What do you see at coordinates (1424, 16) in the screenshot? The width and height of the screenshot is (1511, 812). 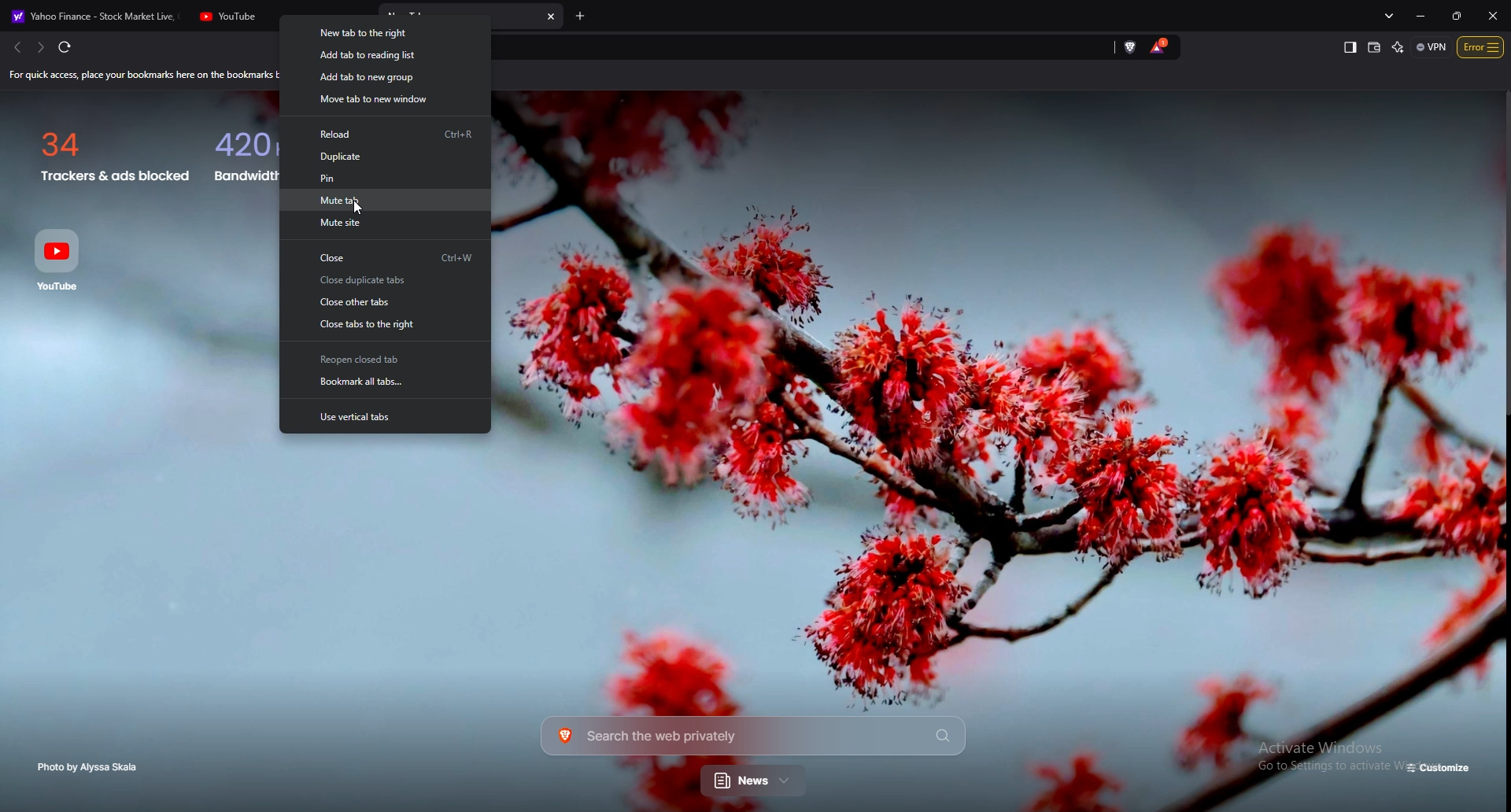 I see `minimize` at bounding box center [1424, 16].